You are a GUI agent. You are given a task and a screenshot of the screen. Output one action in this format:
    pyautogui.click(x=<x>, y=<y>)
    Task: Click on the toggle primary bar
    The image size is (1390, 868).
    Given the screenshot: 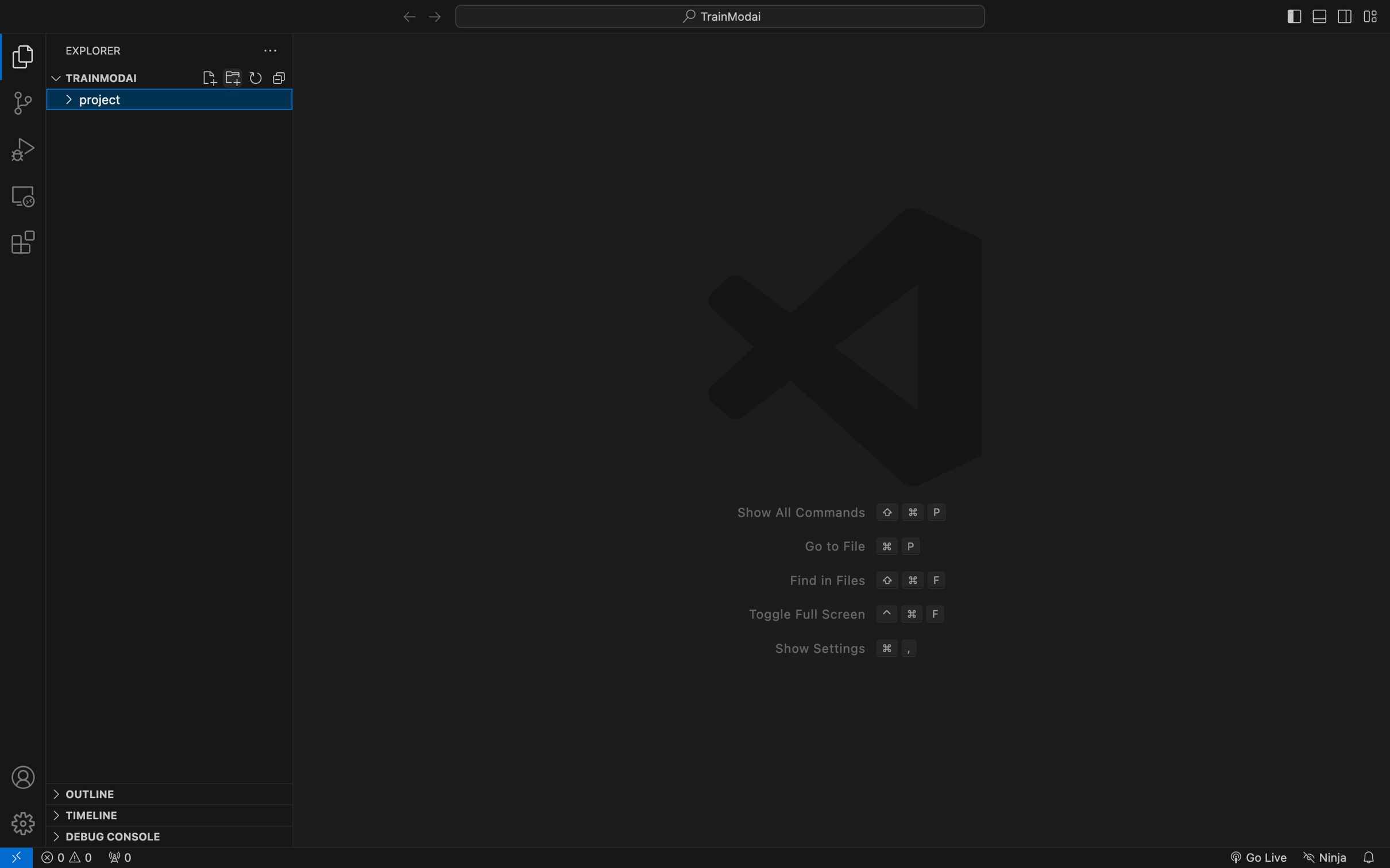 What is the action you would take?
    pyautogui.click(x=1318, y=17)
    